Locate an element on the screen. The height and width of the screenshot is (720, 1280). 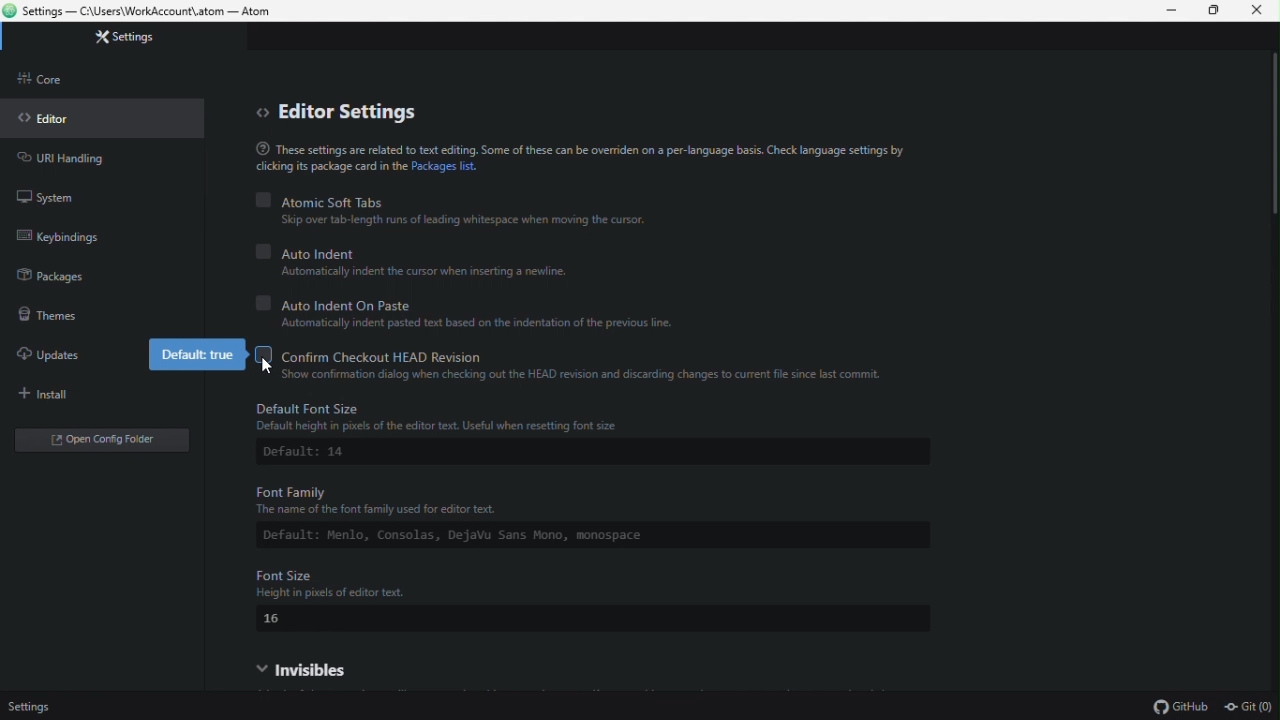
Setting is located at coordinates (33, 704).